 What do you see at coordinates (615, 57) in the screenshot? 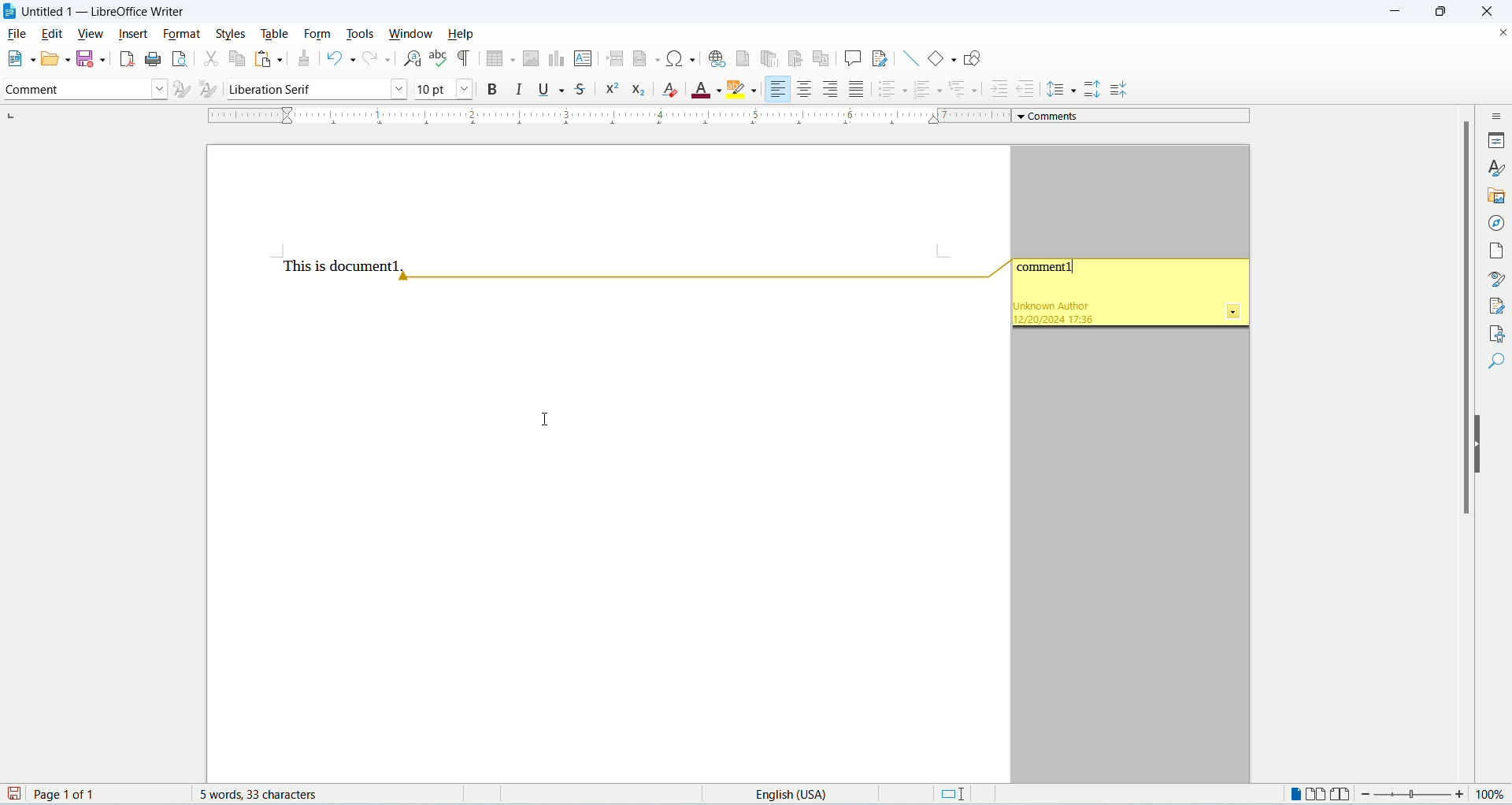
I see `page break` at bounding box center [615, 57].